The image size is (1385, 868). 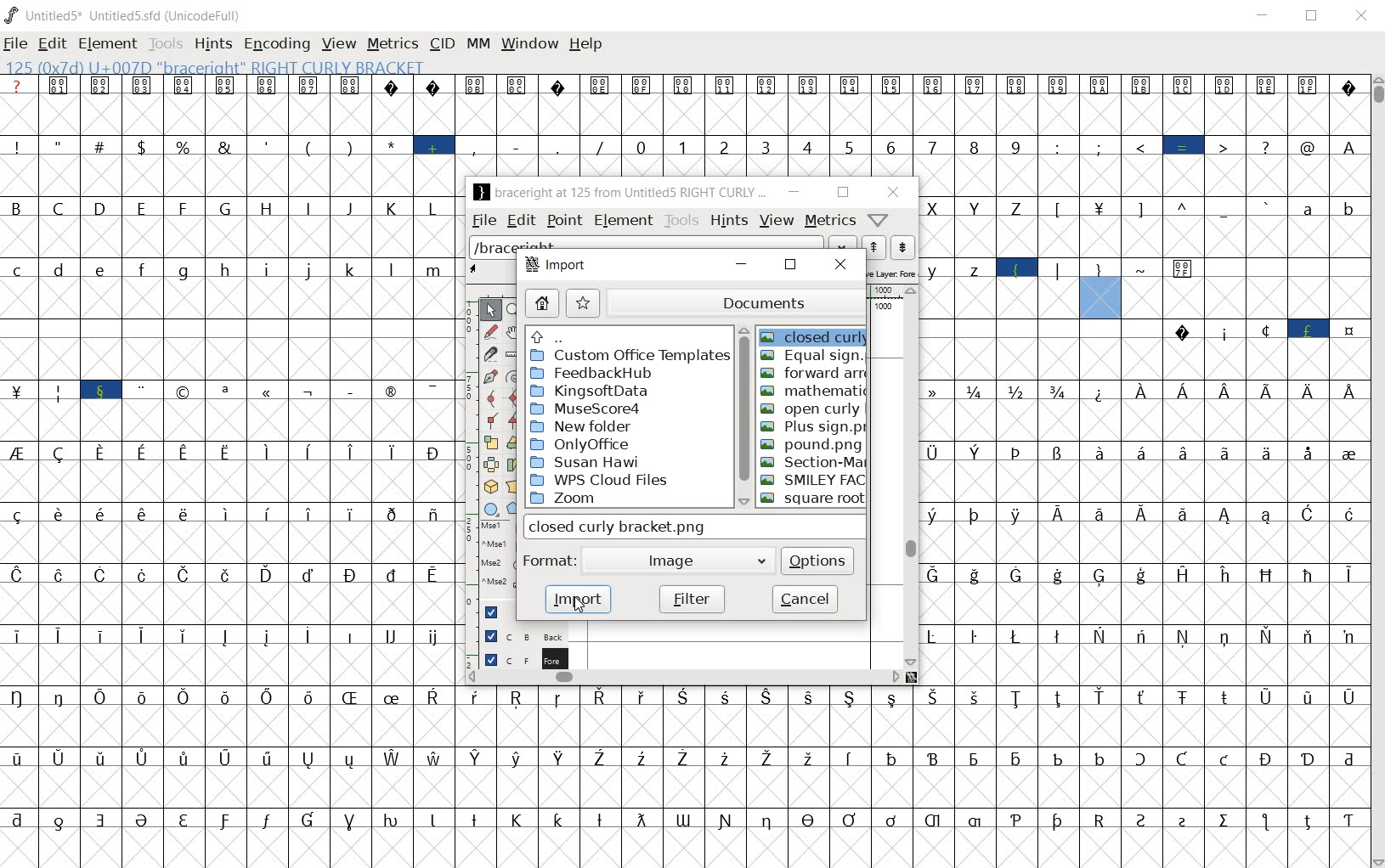 What do you see at coordinates (530, 42) in the screenshot?
I see `WINDOW` at bounding box center [530, 42].